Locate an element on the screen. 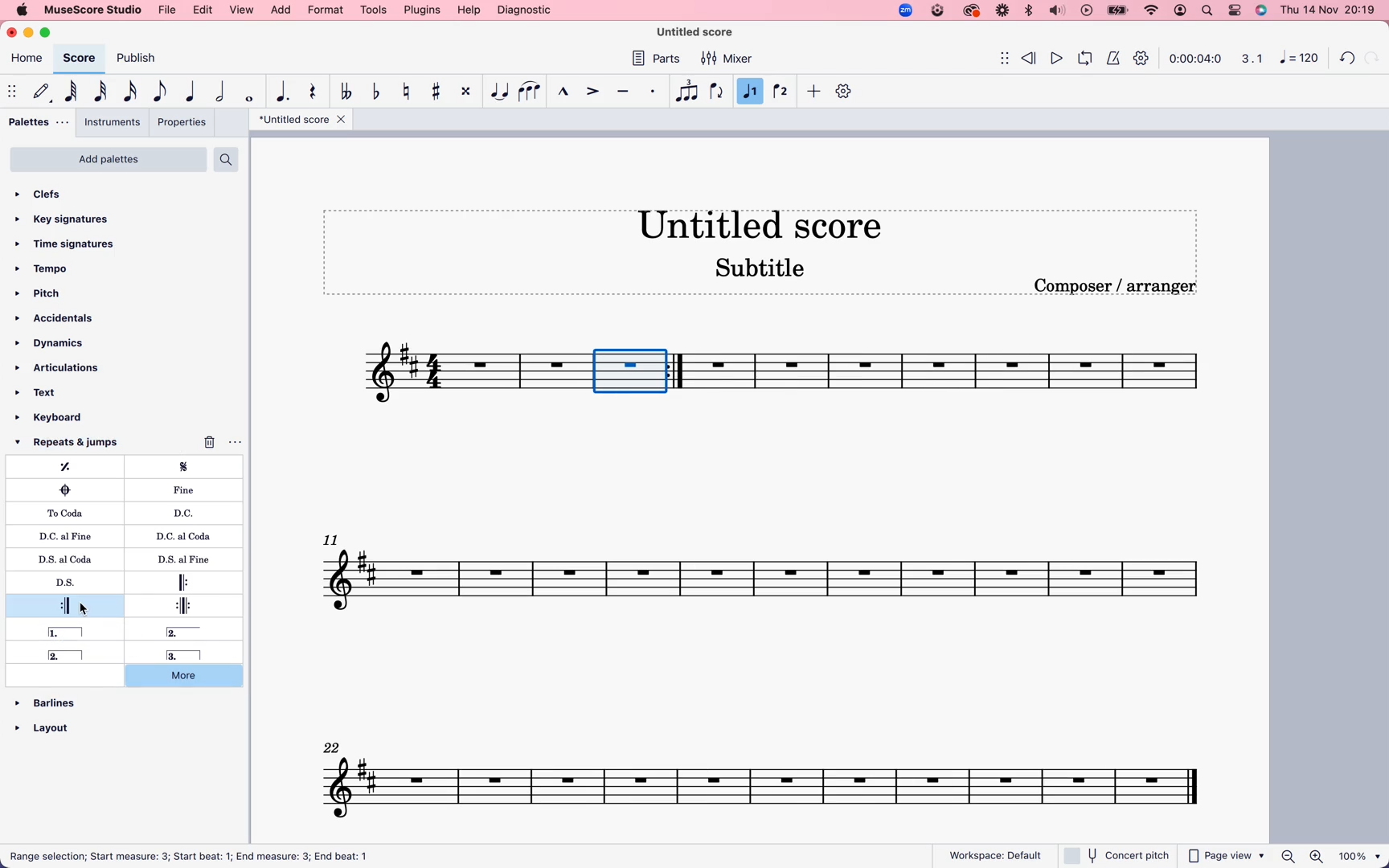  more is located at coordinates (814, 92).